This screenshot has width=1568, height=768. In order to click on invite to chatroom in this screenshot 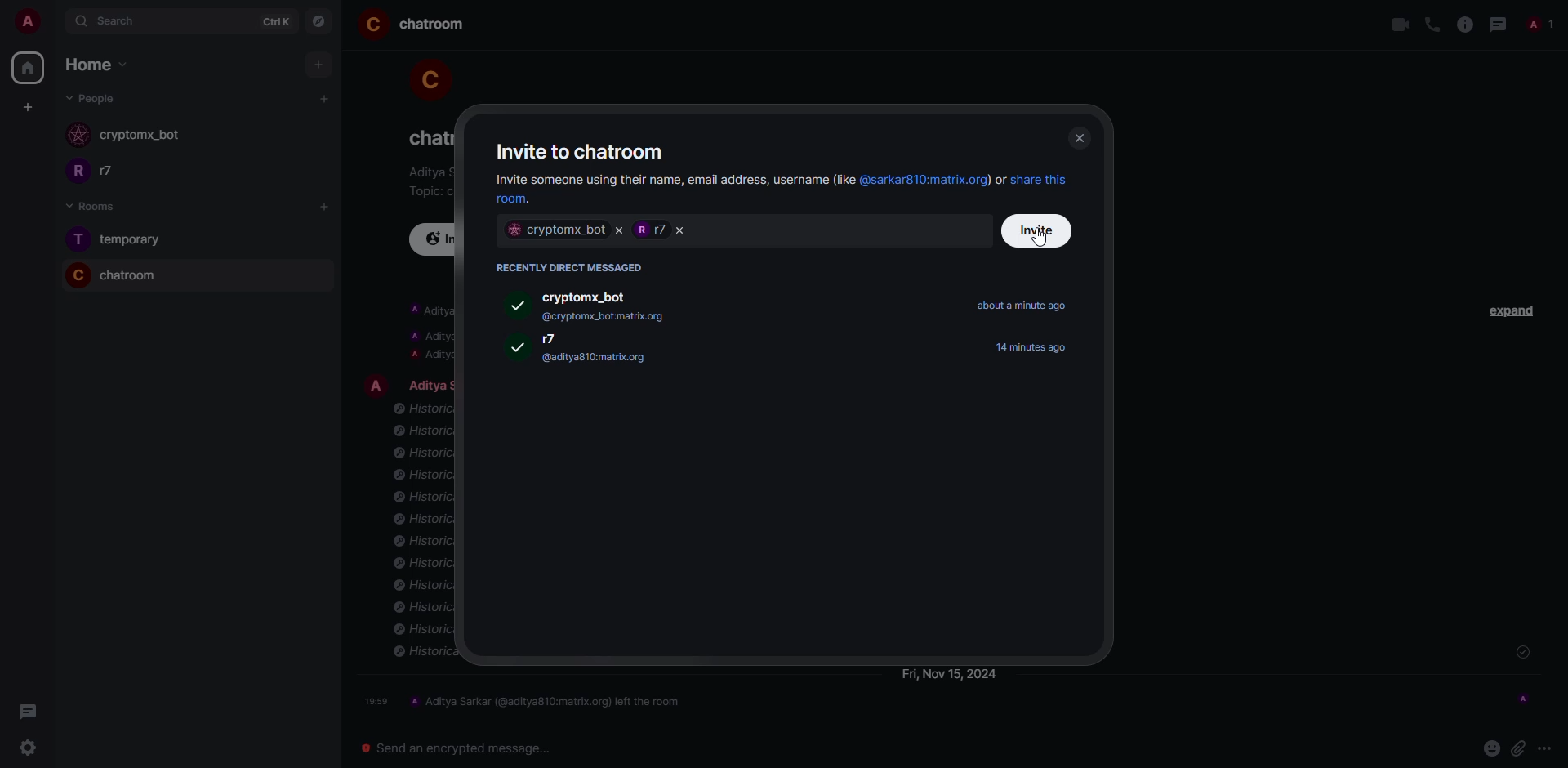, I will do `click(583, 150)`.